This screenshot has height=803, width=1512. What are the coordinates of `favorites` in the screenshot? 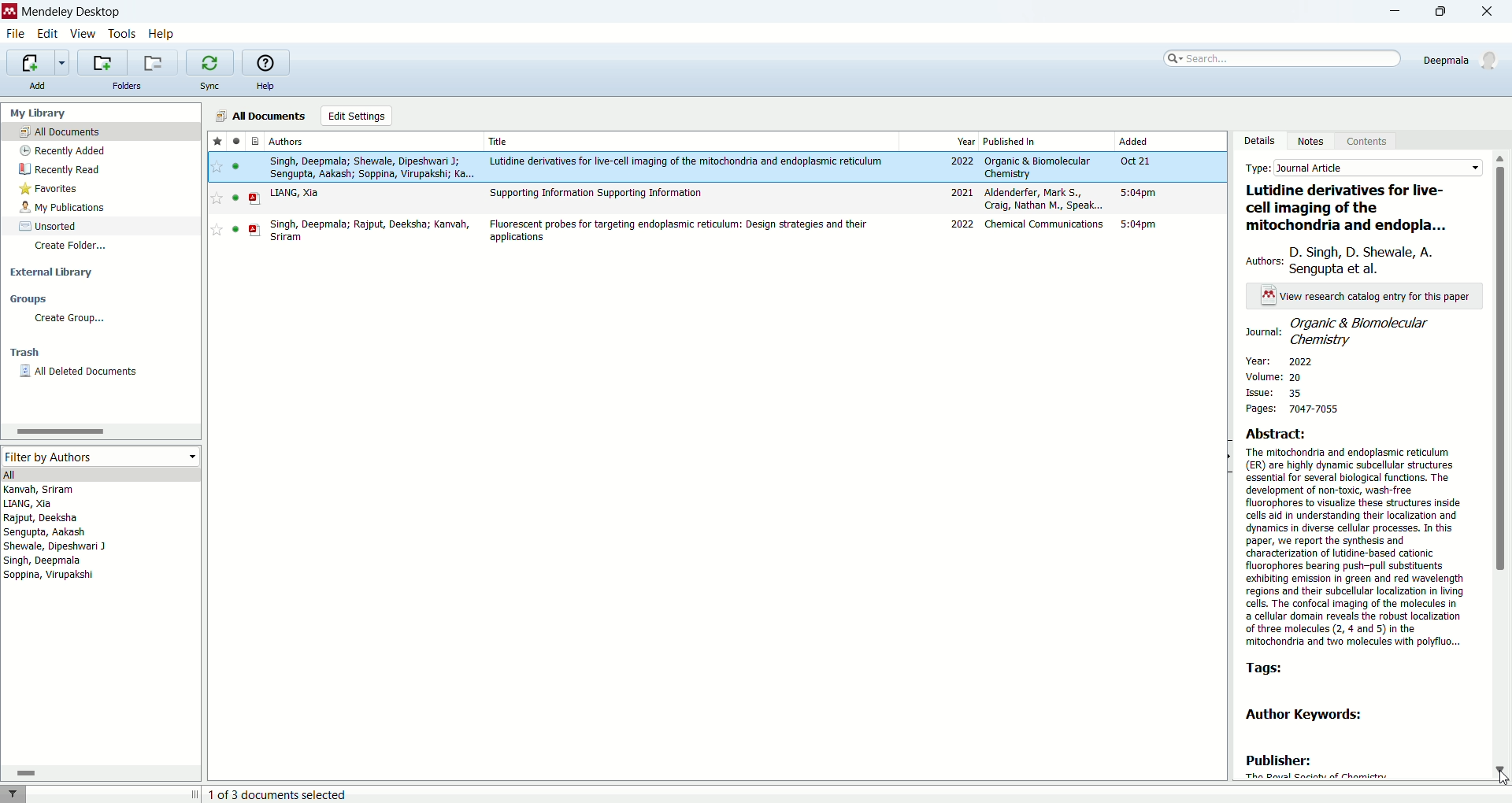 It's located at (217, 140).